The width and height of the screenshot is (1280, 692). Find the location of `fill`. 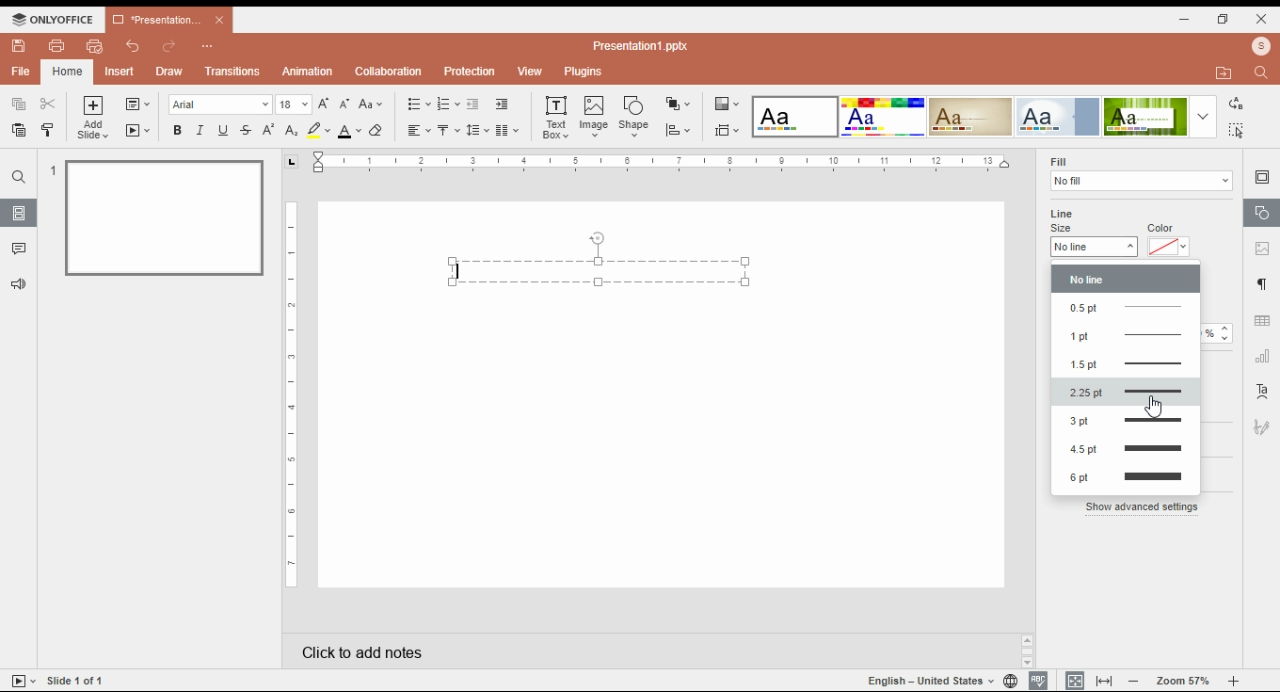

fill is located at coordinates (1059, 161).